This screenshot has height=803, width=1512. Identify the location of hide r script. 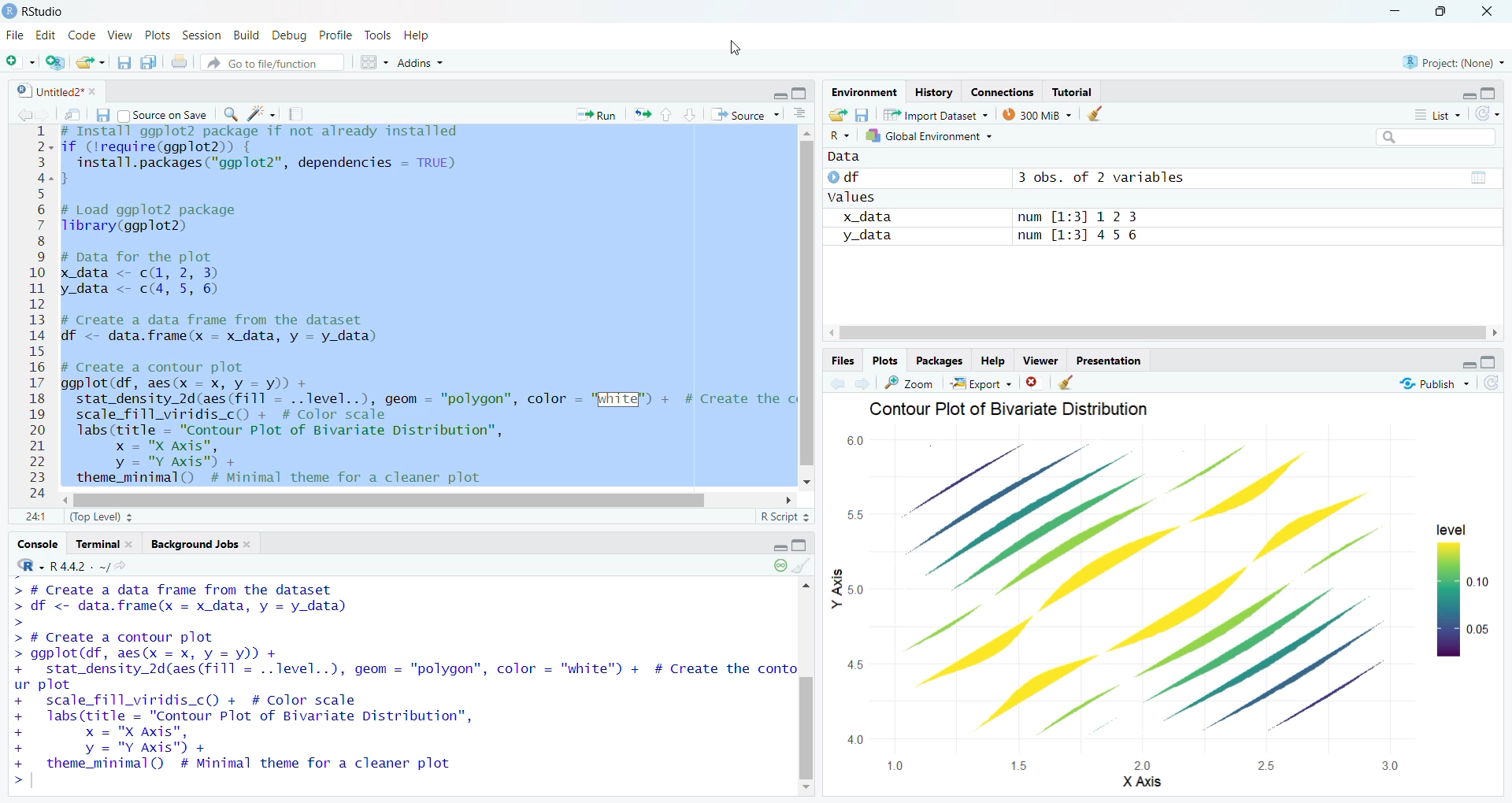
(777, 545).